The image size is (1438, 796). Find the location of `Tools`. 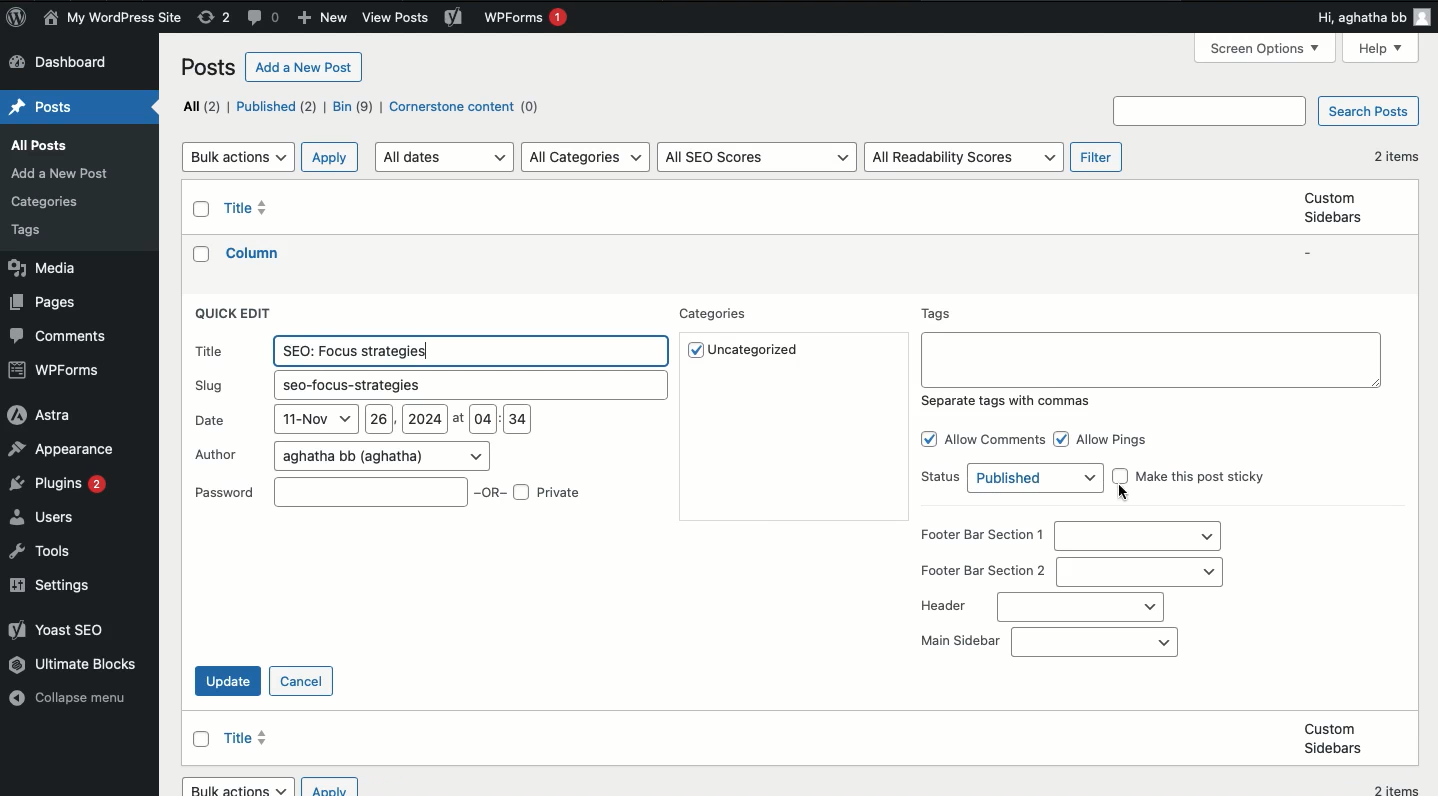

Tools is located at coordinates (46, 553).